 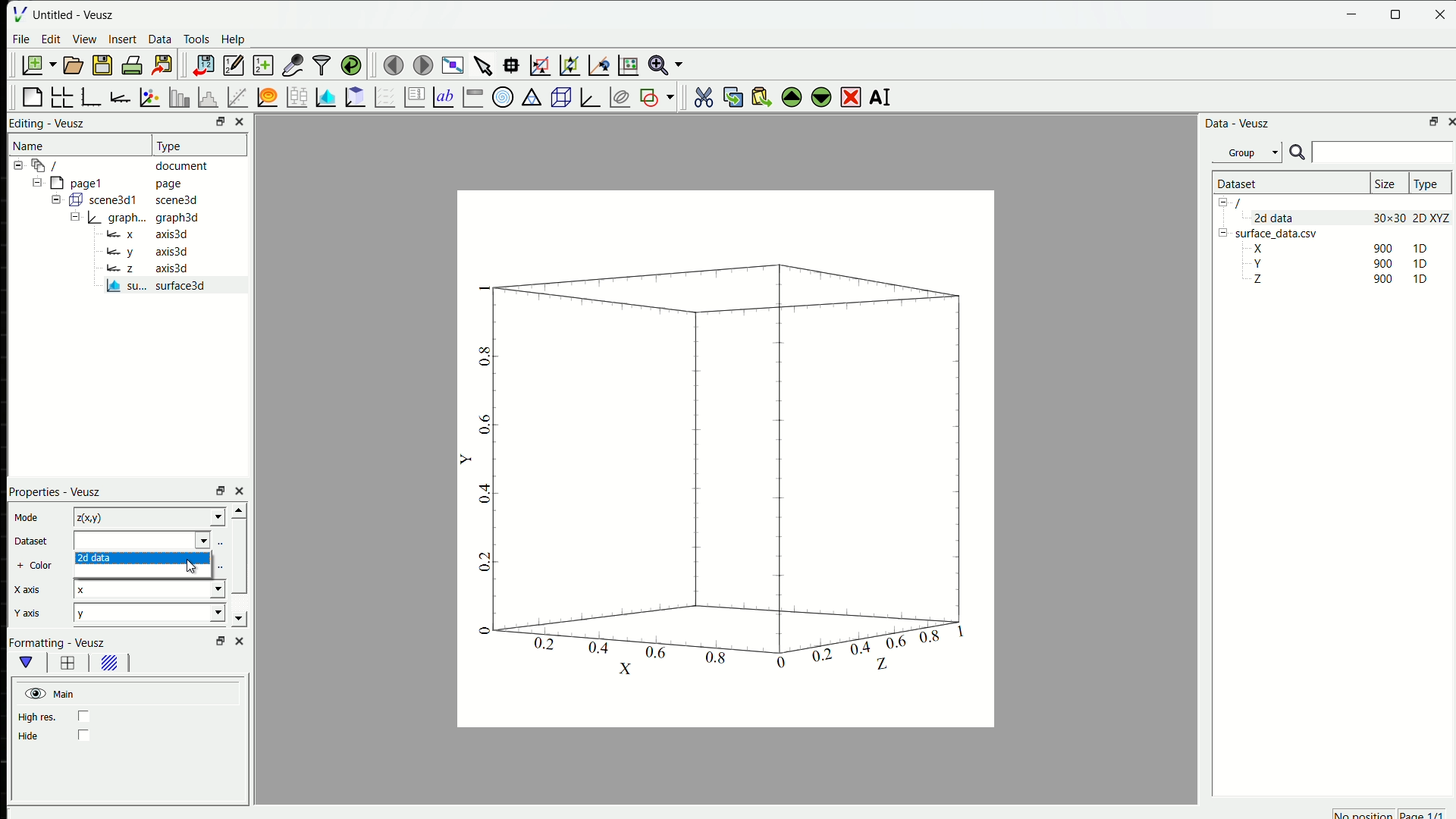 What do you see at coordinates (181, 167) in the screenshot?
I see `document` at bounding box center [181, 167].